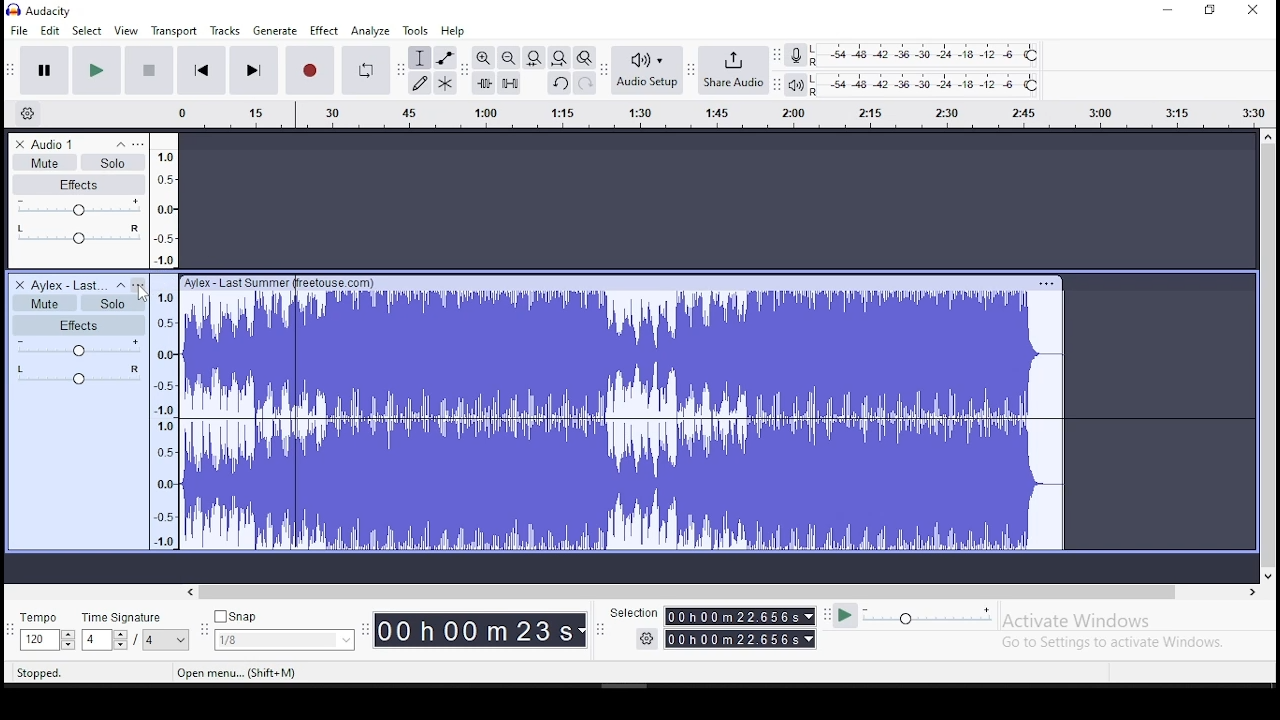 This screenshot has width=1280, height=720. What do you see at coordinates (44, 71) in the screenshot?
I see `pause` at bounding box center [44, 71].